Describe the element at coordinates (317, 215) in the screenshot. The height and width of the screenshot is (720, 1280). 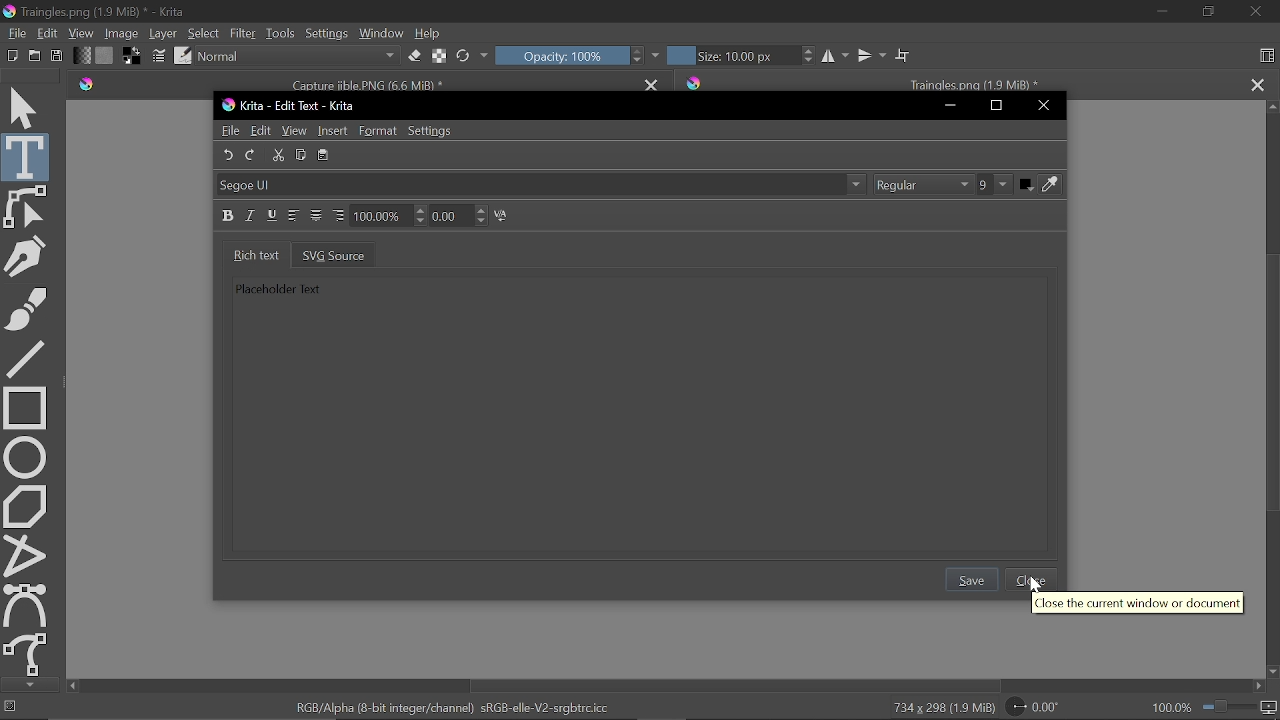
I see `Align Center` at that location.